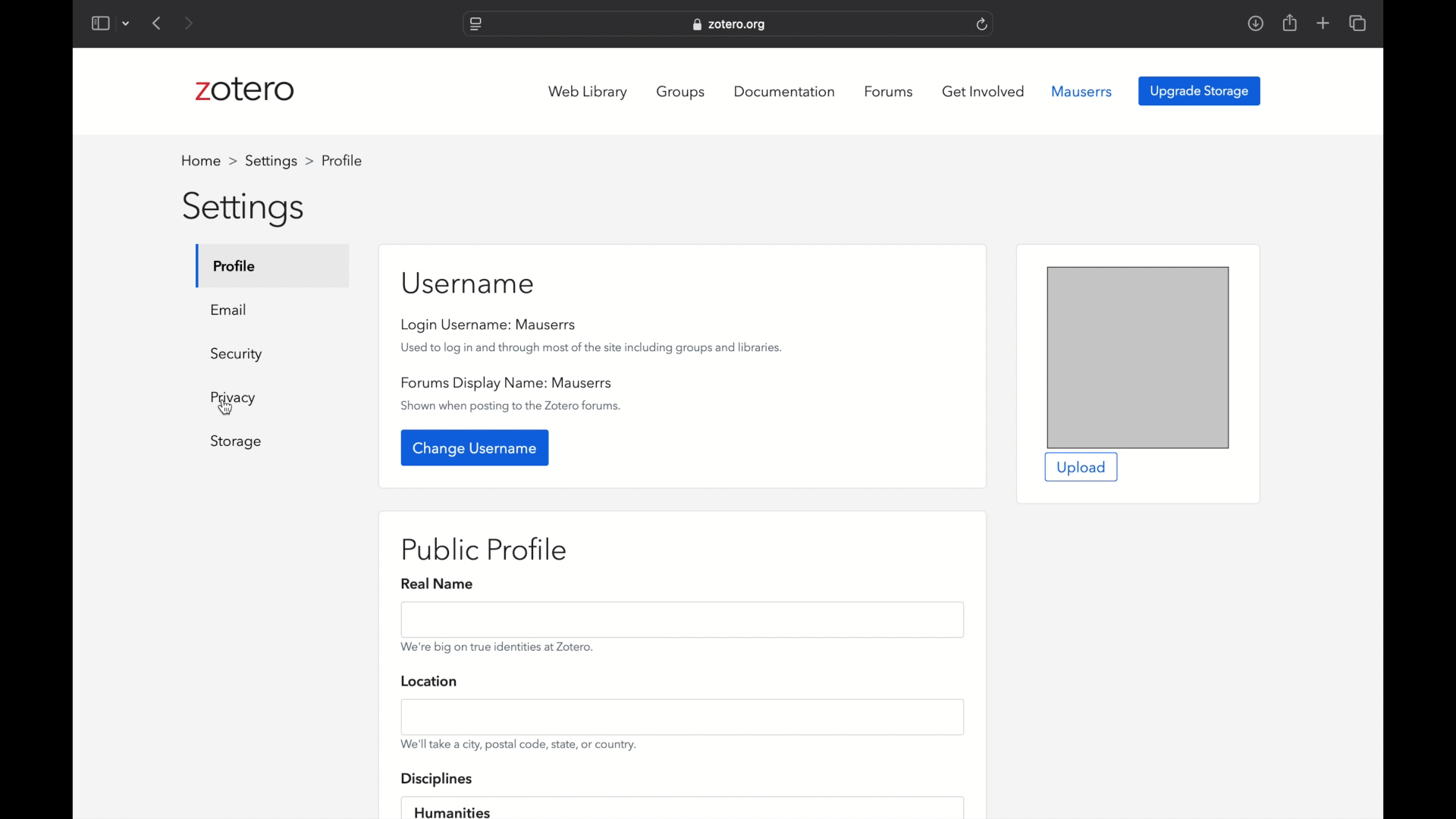 The width and height of the screenshot is (1456, 819). I want to click on documentation, so click(784, 92).